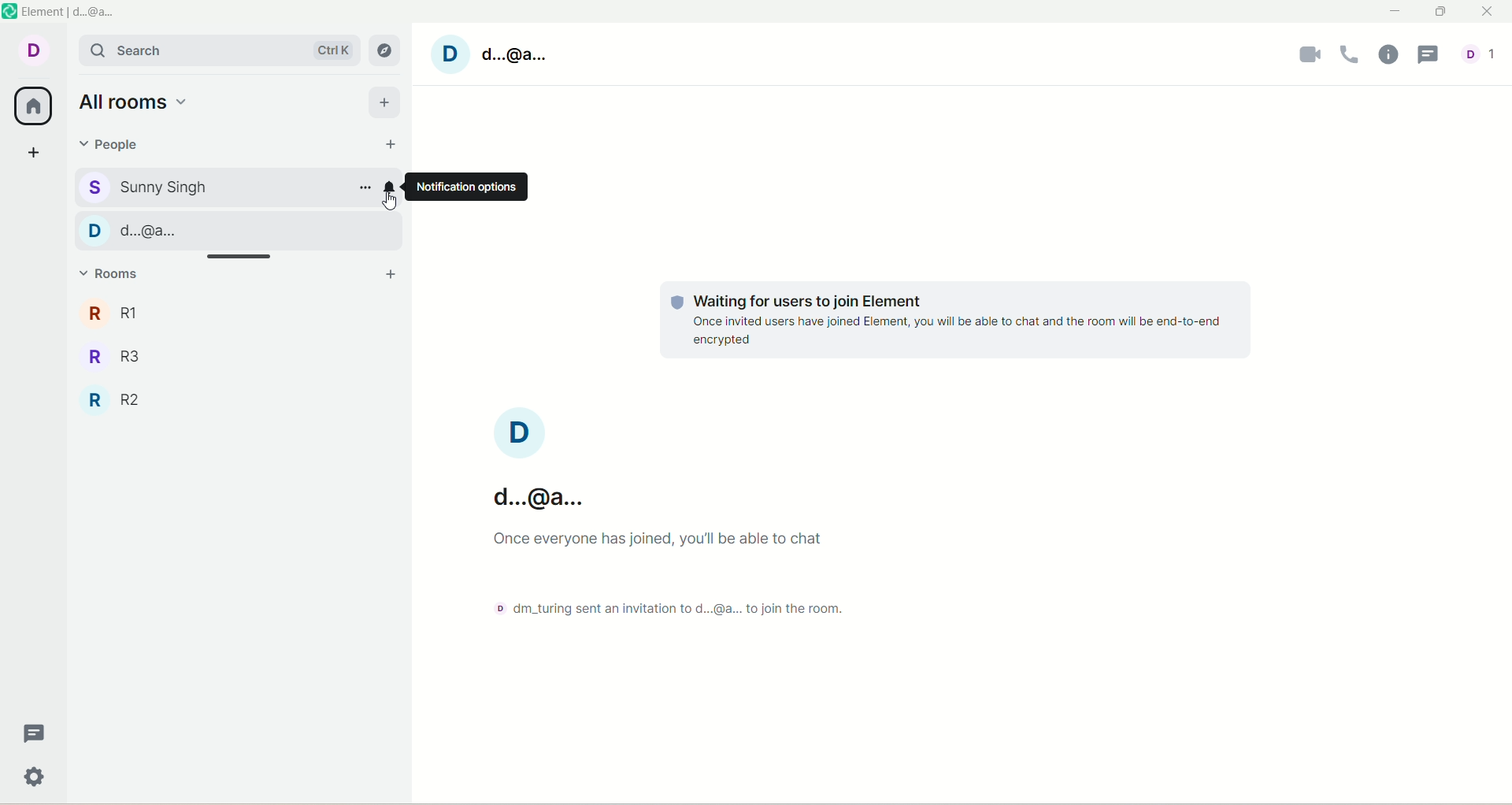 Image resolution: width=1512 pixels, height=805 pixels. What do you see at coordinates (72, 13) in the screenshot?
I see `element` at bounding box center [72, 13].